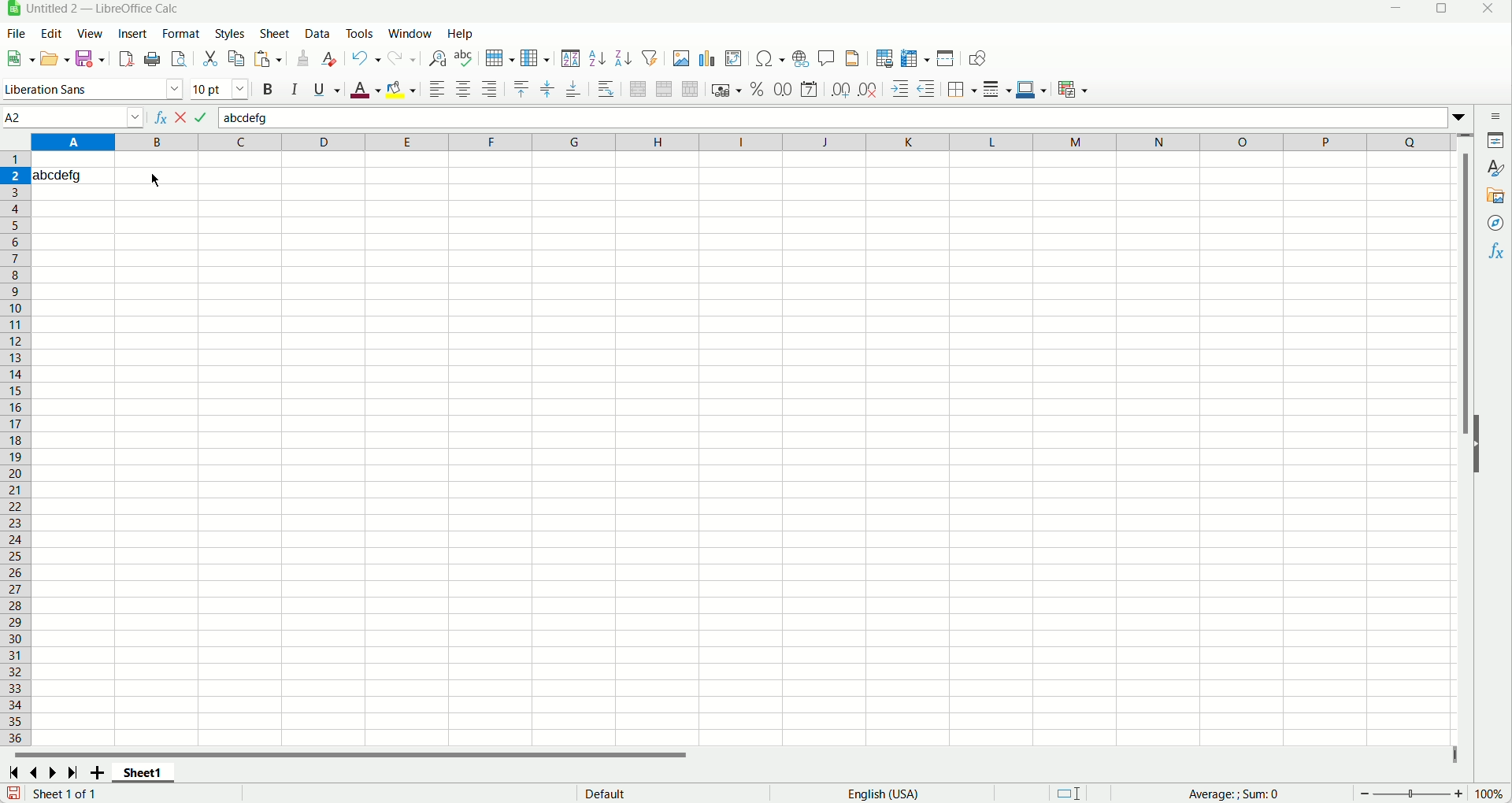 The height and width of the screenshot is (803, 1512). Describe the element at coordinates (366, 91) in the screenshot. I see `font color` at that location.